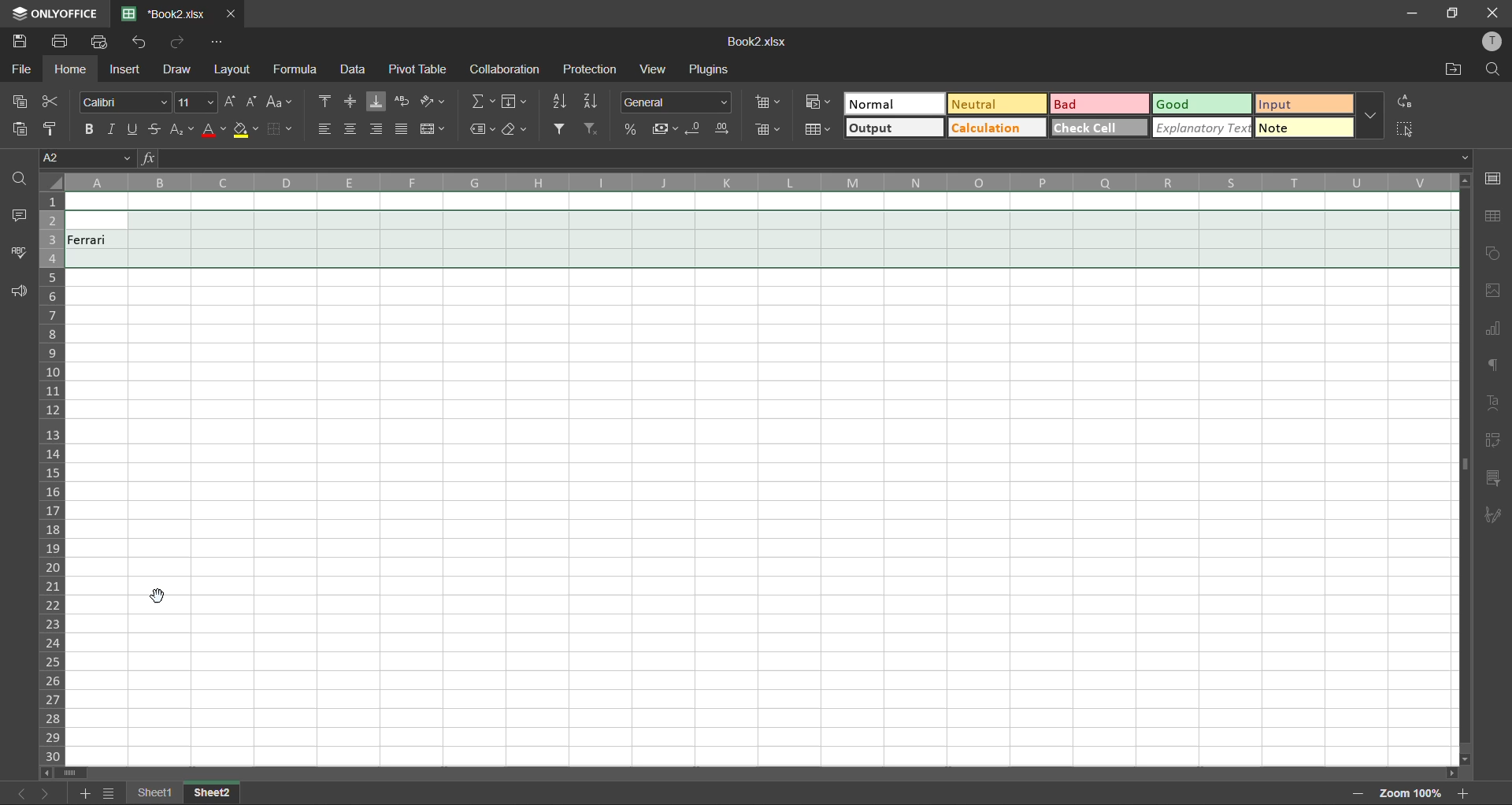 The image size is (1512, 805). Describe the element at coordinates (1494, 332) in the screenshot. I see `charts` at that location.